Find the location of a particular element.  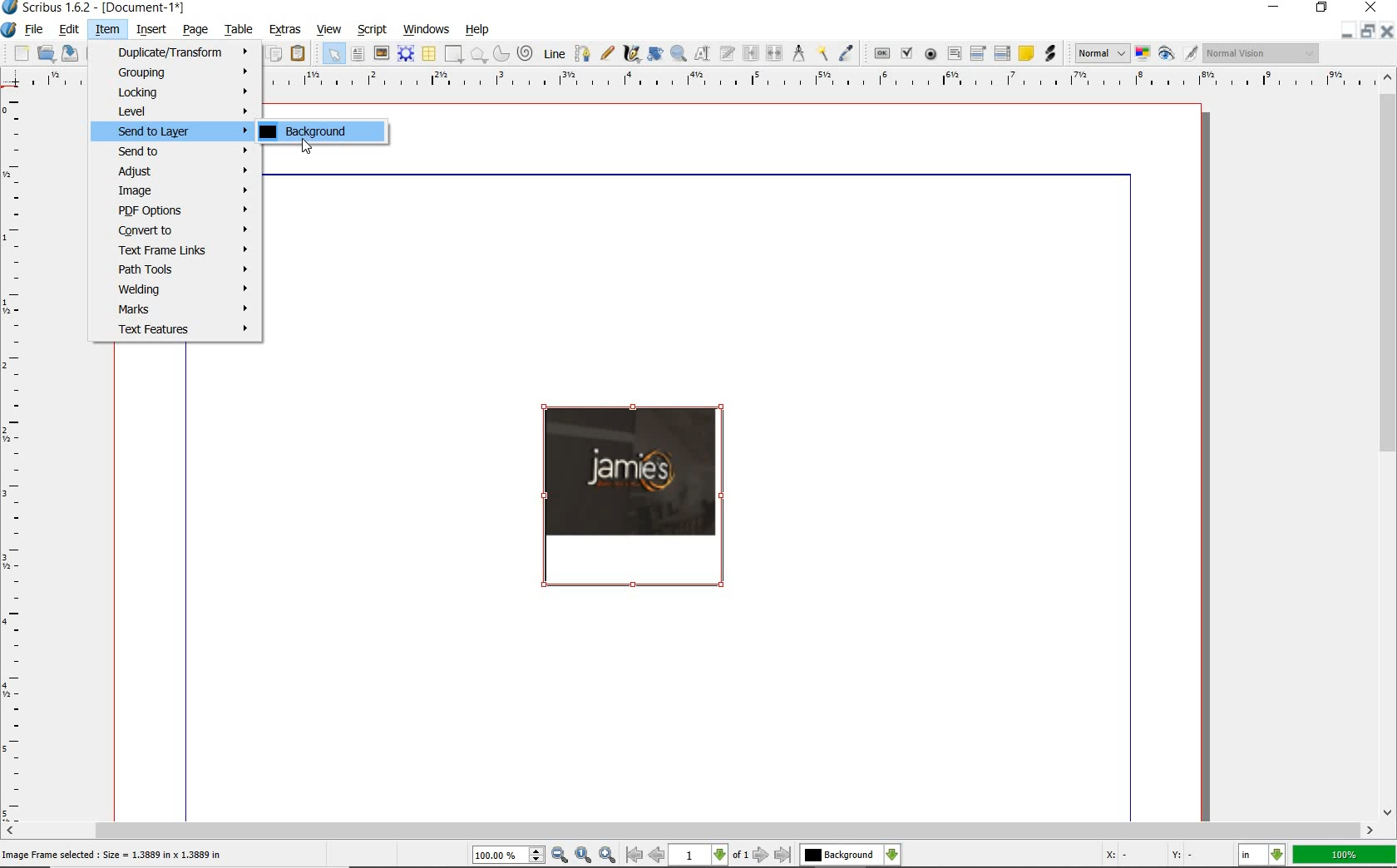

toggle color management is located at coordinates (1142, 54).